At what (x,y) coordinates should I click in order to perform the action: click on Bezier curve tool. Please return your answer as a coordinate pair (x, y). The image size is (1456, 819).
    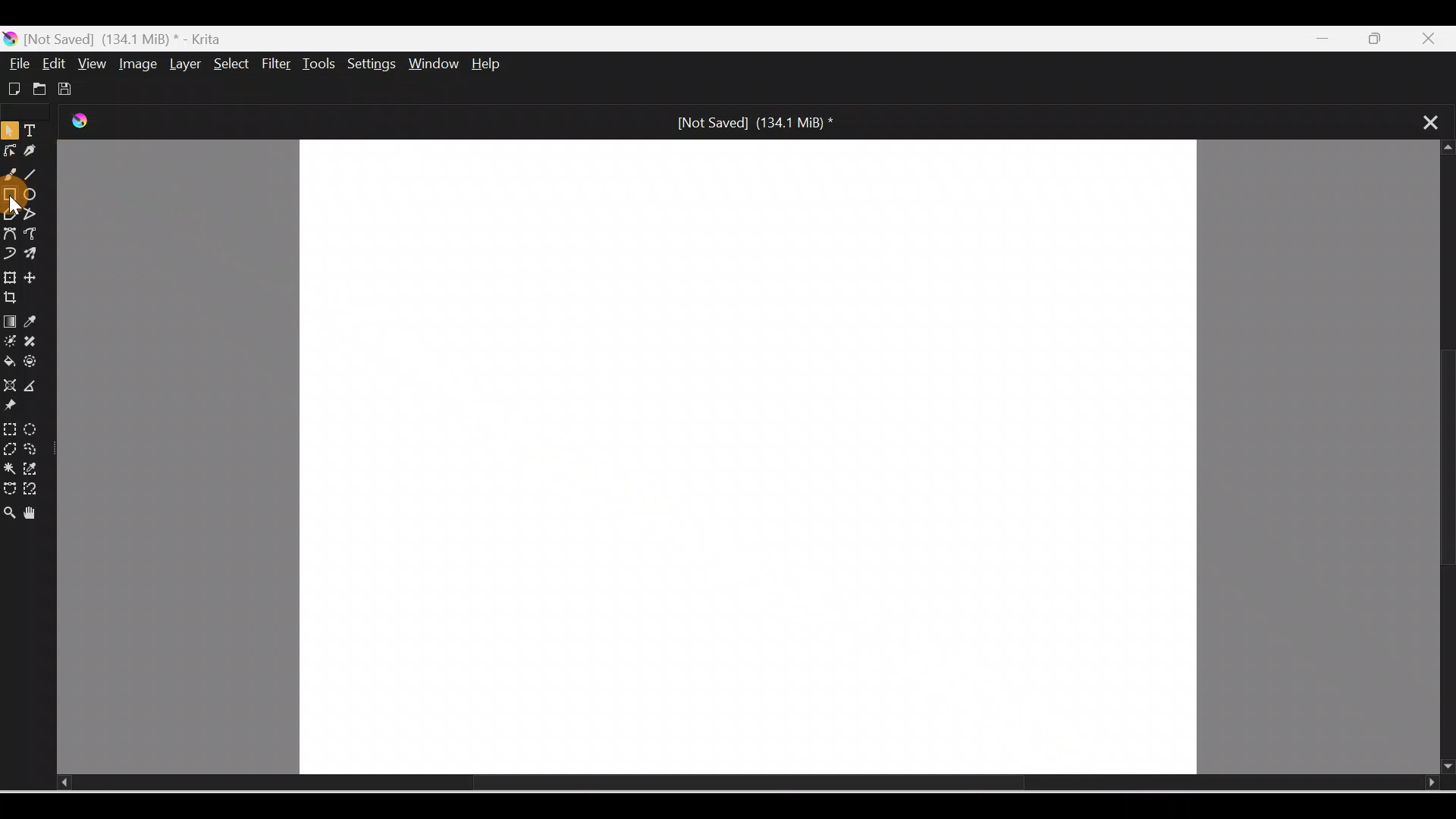
    Looking at the image, I should click on (11, 233).